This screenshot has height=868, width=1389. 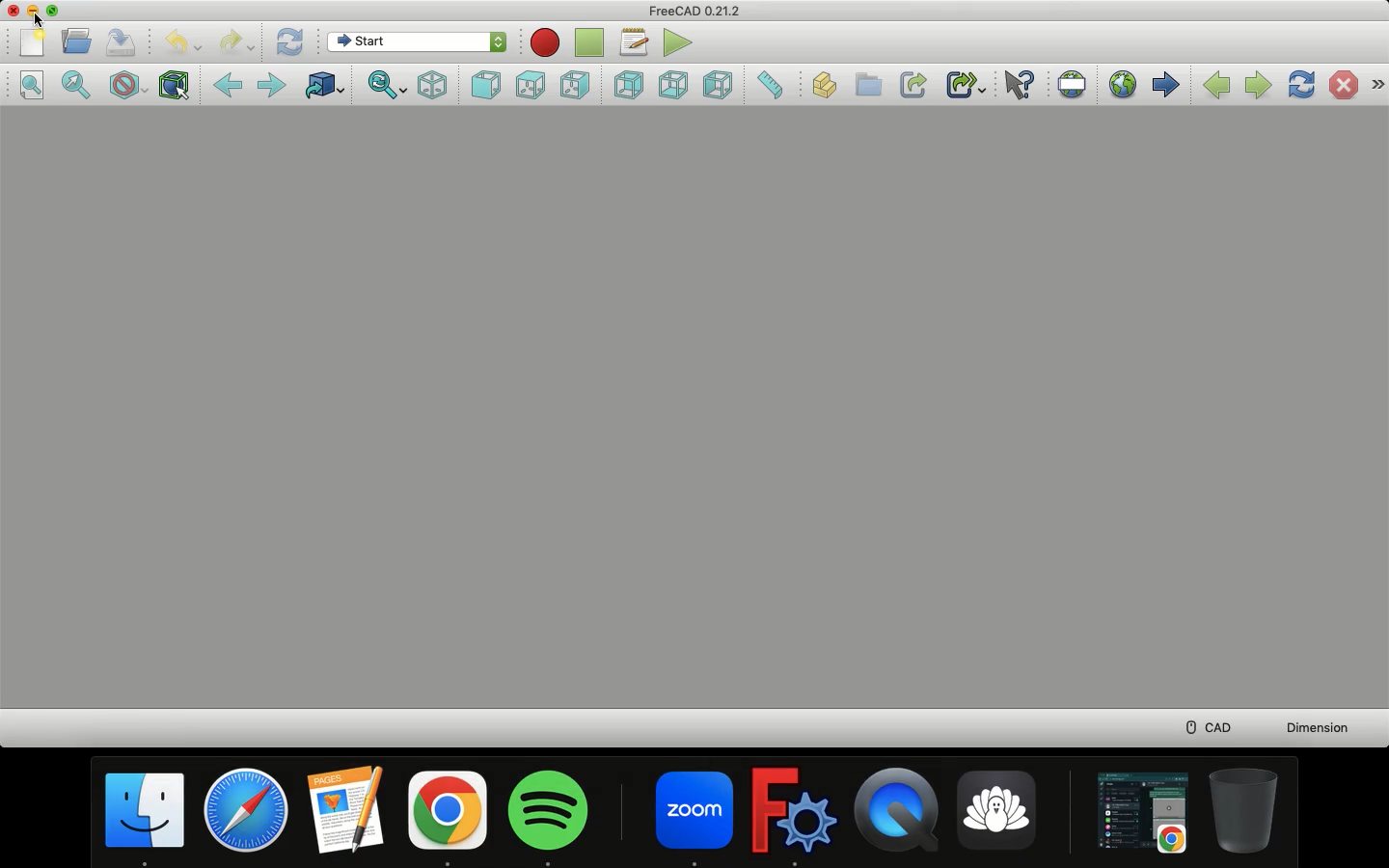 What do you see at coordinates (1303, 85) in the screenshot?
I see `Refresh web page` at bounding box center [1303, 85].